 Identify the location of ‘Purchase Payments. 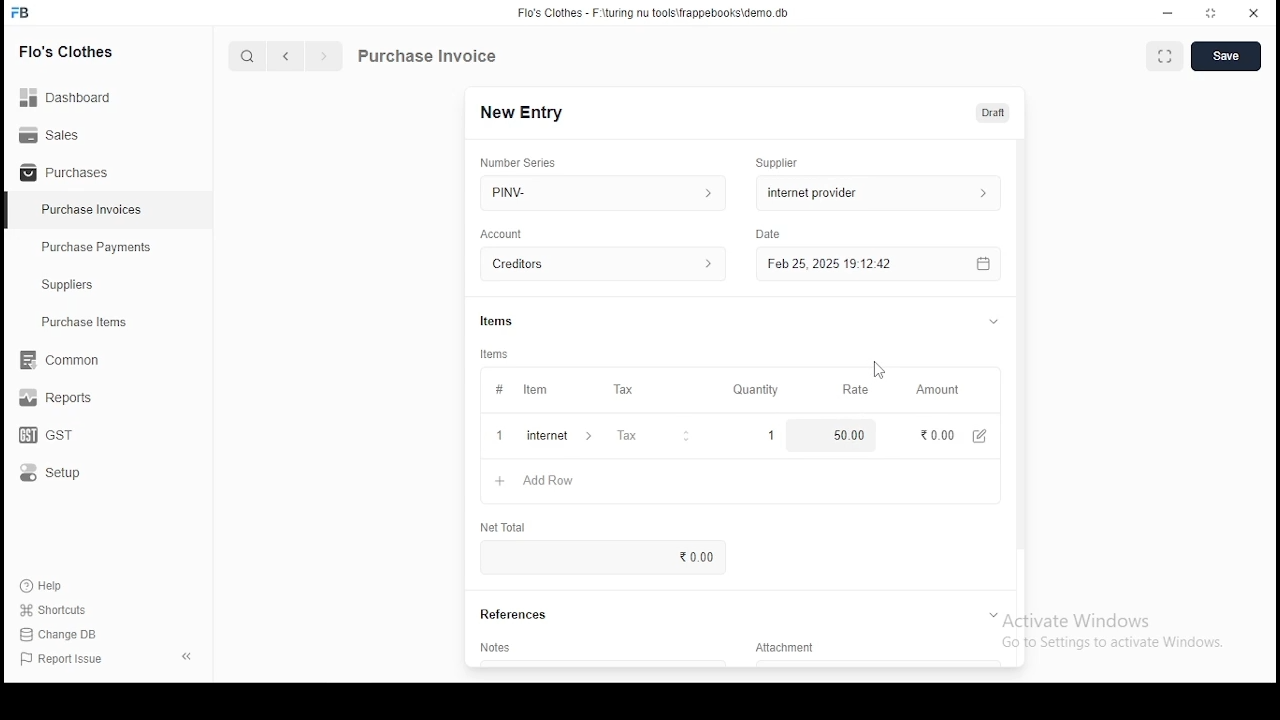
(98, 247).